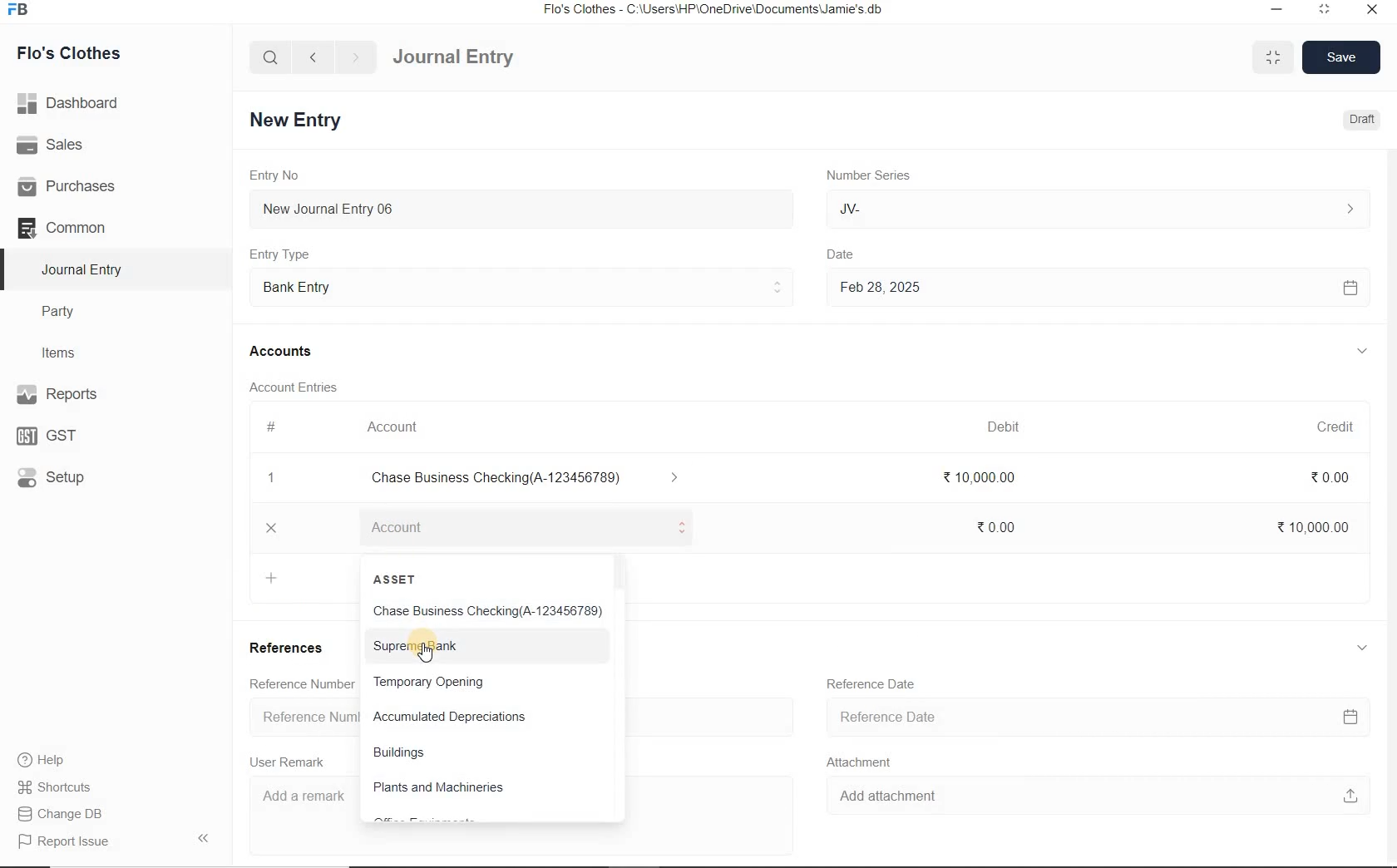 The image size is (1397, 868). Describe the element at coordinates (83, 396) in the screenshot. I see `Reports` at that location.